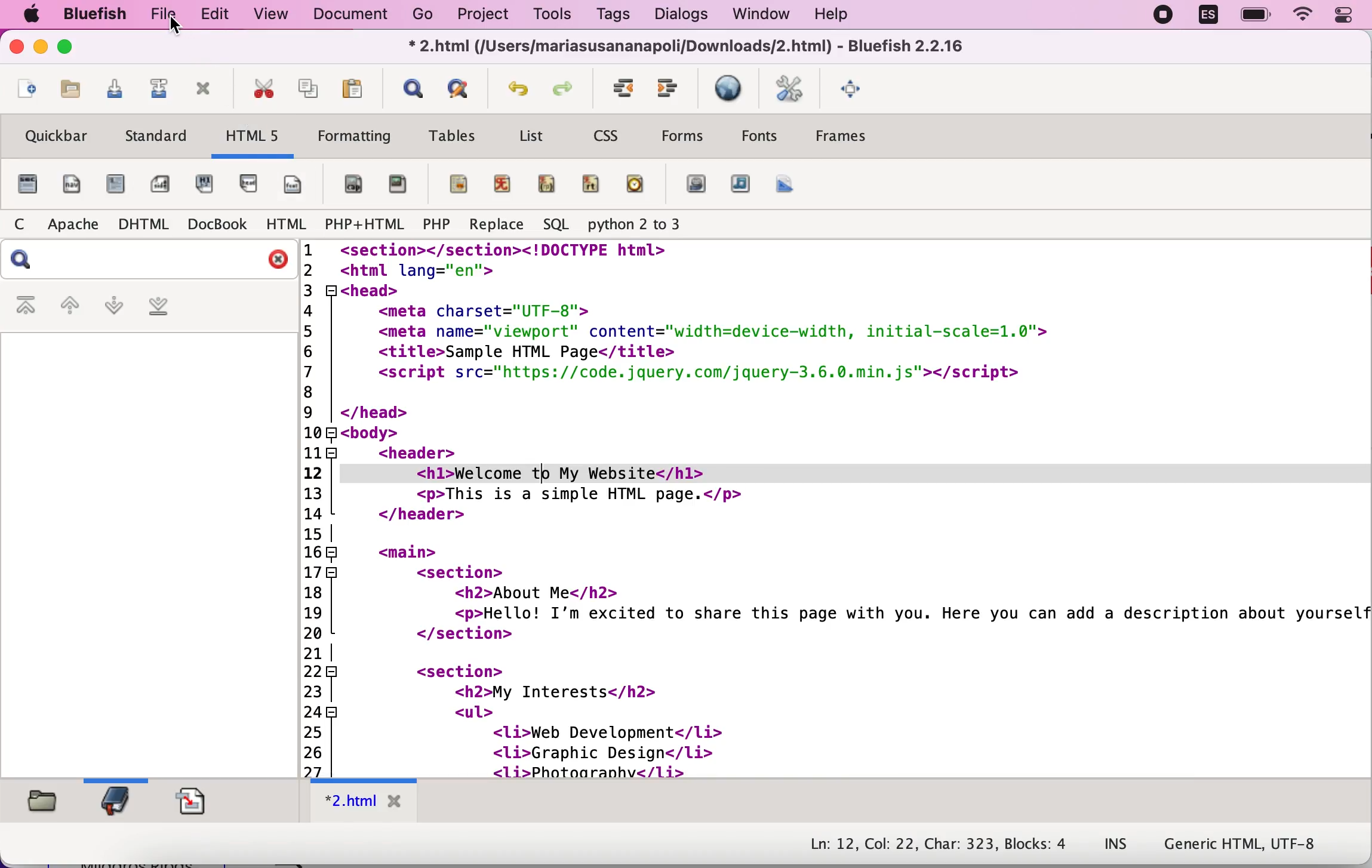 This screenshot has height=868, width=1372. What do you see at coordinates (156, 184) in the screenshot?
I see `aside` at bounding box center [156, 184].